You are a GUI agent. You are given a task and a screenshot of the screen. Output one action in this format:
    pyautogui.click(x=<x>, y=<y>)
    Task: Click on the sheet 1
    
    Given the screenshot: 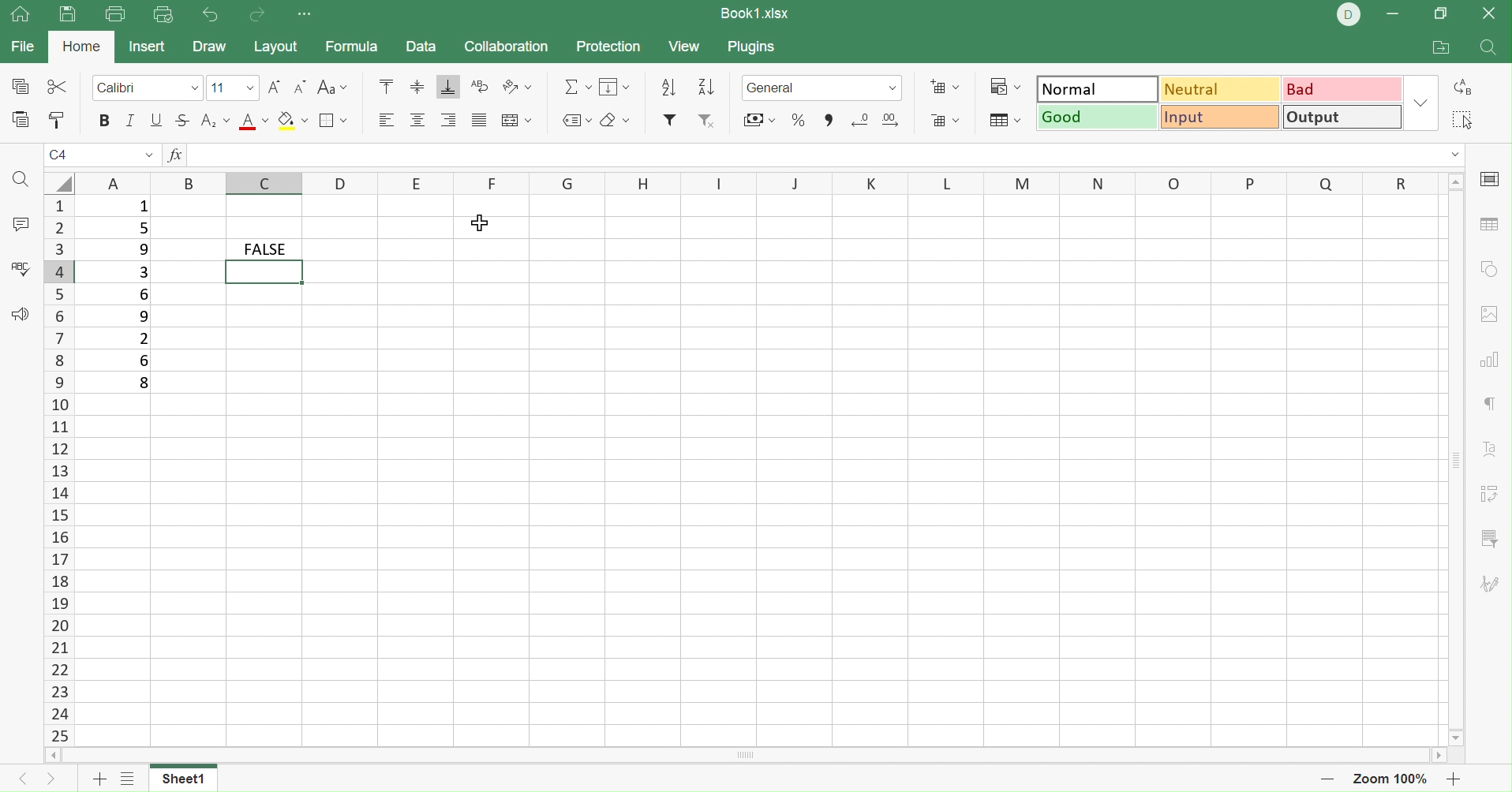 What is the action you would take?
    pyautogui.click(x=198, y=777)
    